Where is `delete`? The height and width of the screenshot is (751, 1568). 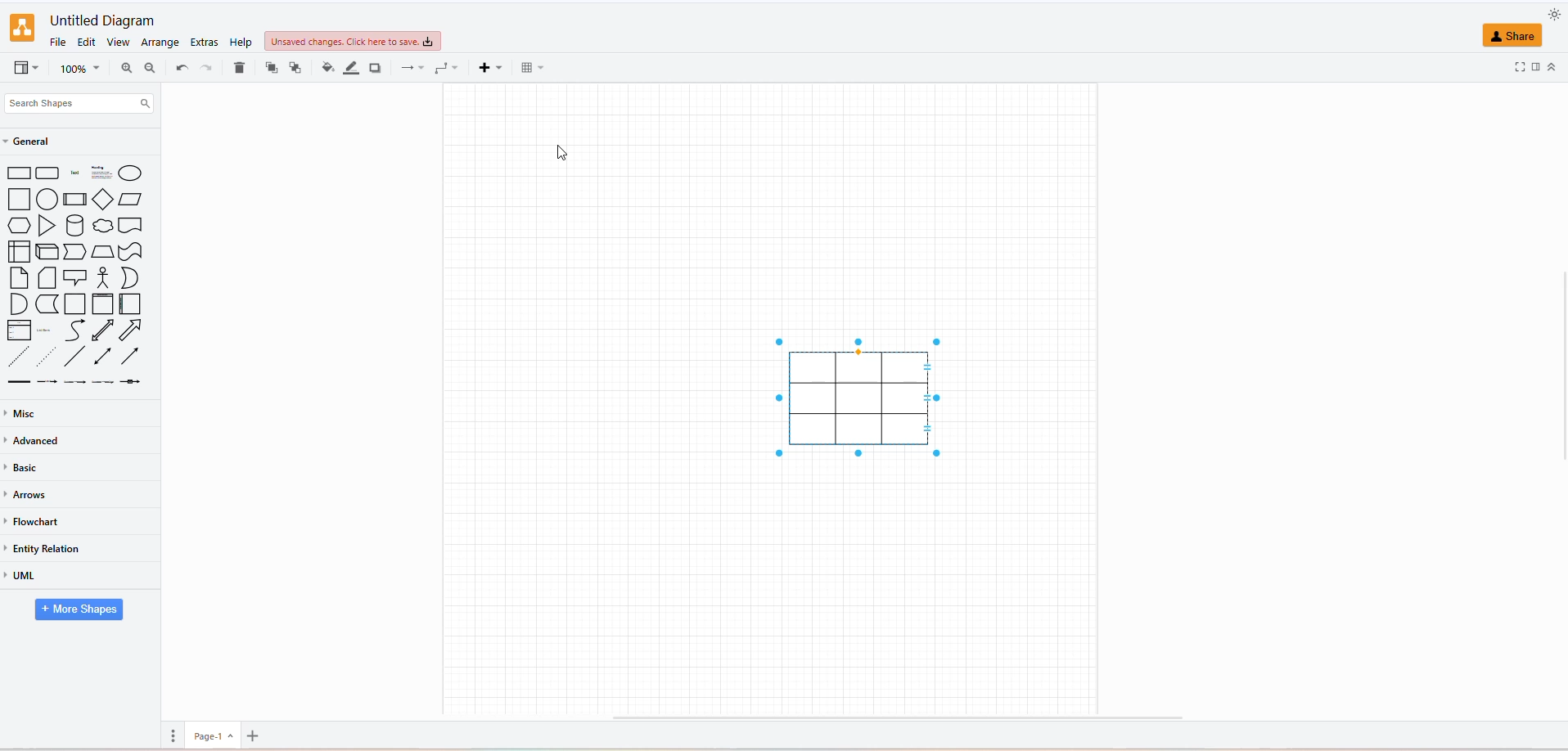 delete is located at coordinates (238, 66).